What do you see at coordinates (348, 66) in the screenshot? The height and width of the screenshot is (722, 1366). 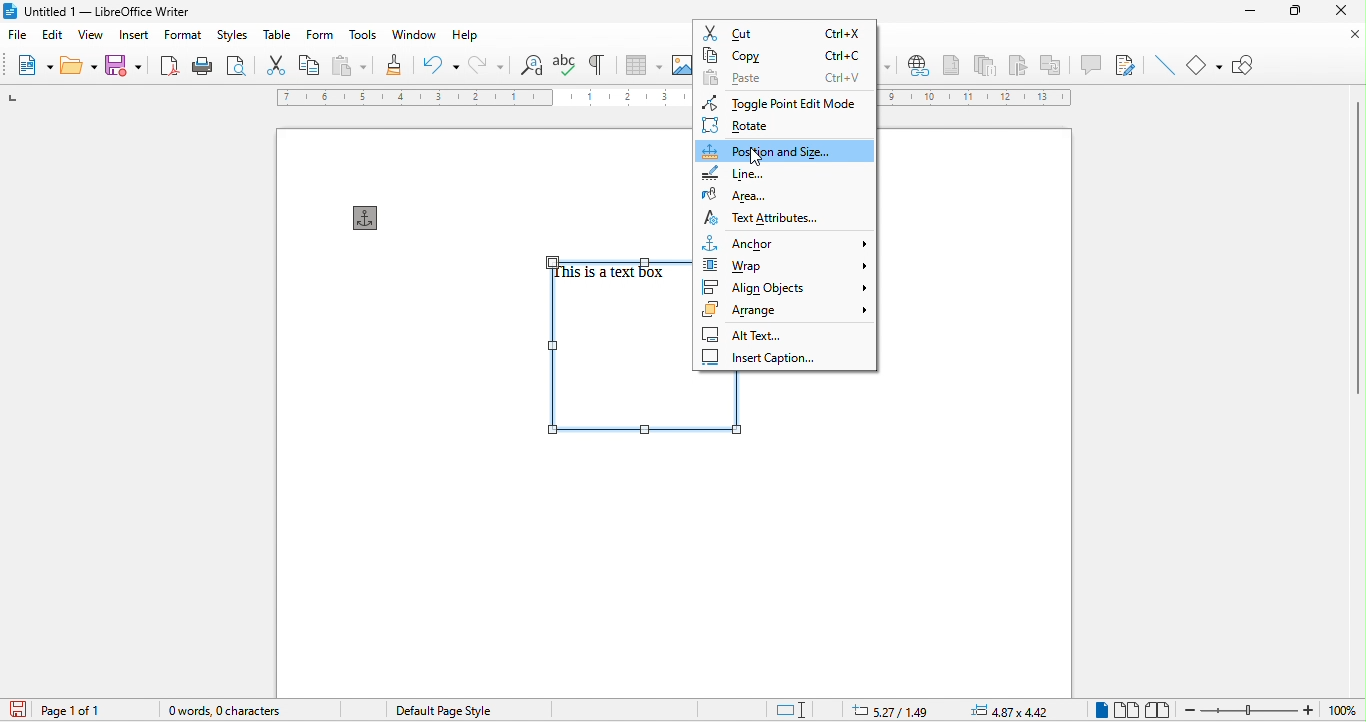 I see `paste` at bounding box center [348, 66].